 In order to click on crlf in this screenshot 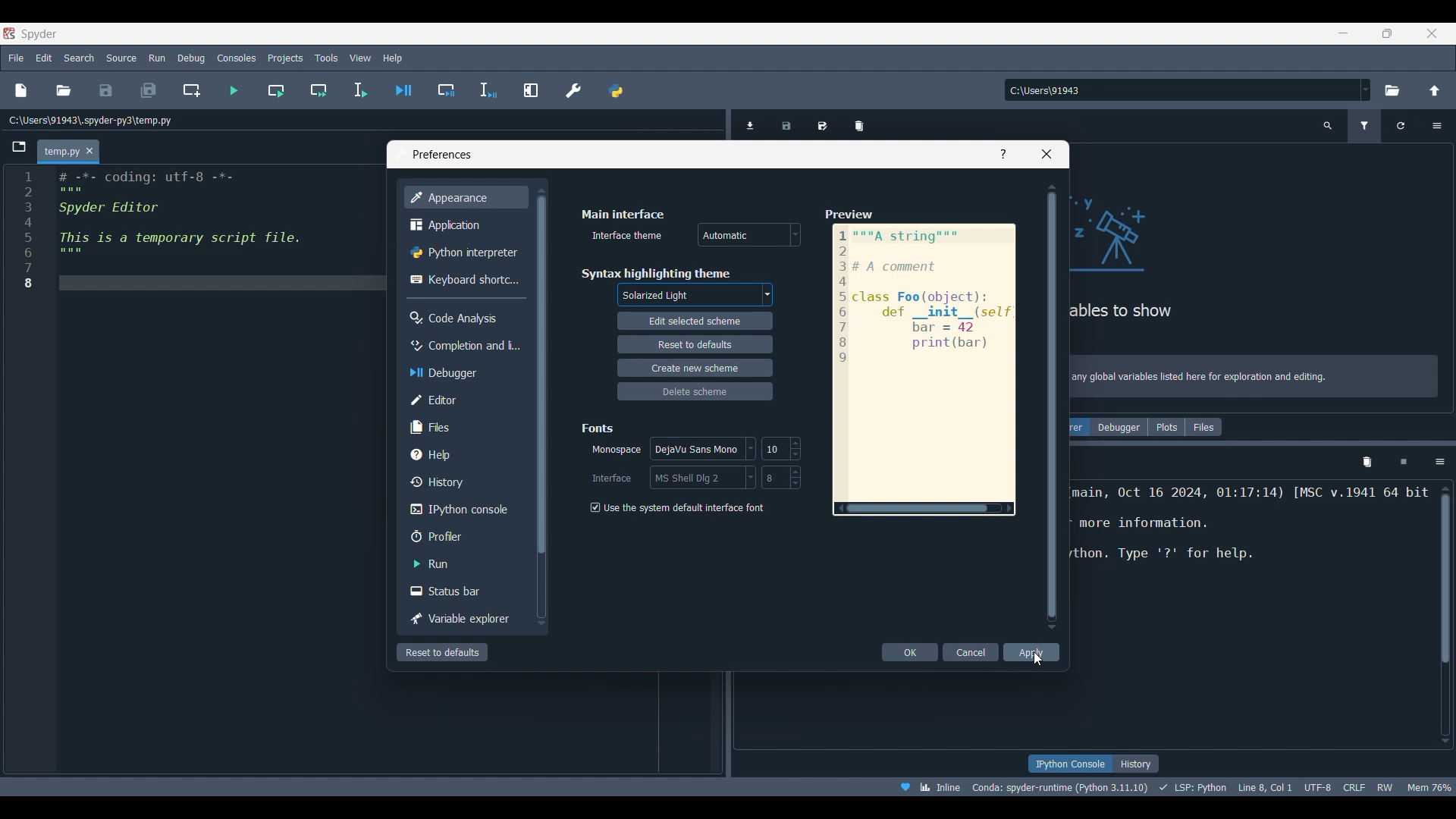, I will do `click(1352, 787)`.